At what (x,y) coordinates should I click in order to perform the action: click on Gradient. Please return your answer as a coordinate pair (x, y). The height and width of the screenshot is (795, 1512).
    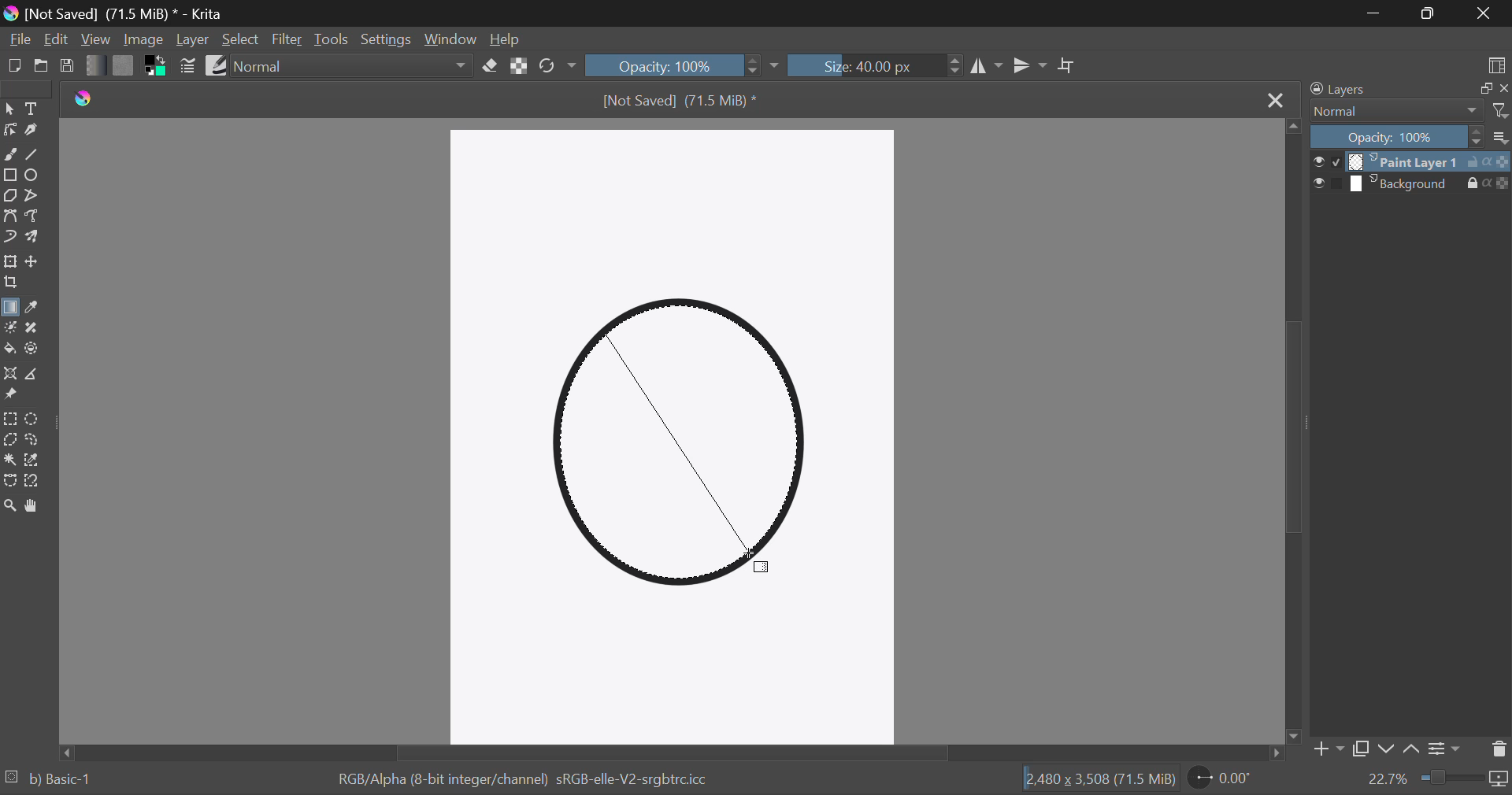
    Looking at the image, I should click on (99, 68).